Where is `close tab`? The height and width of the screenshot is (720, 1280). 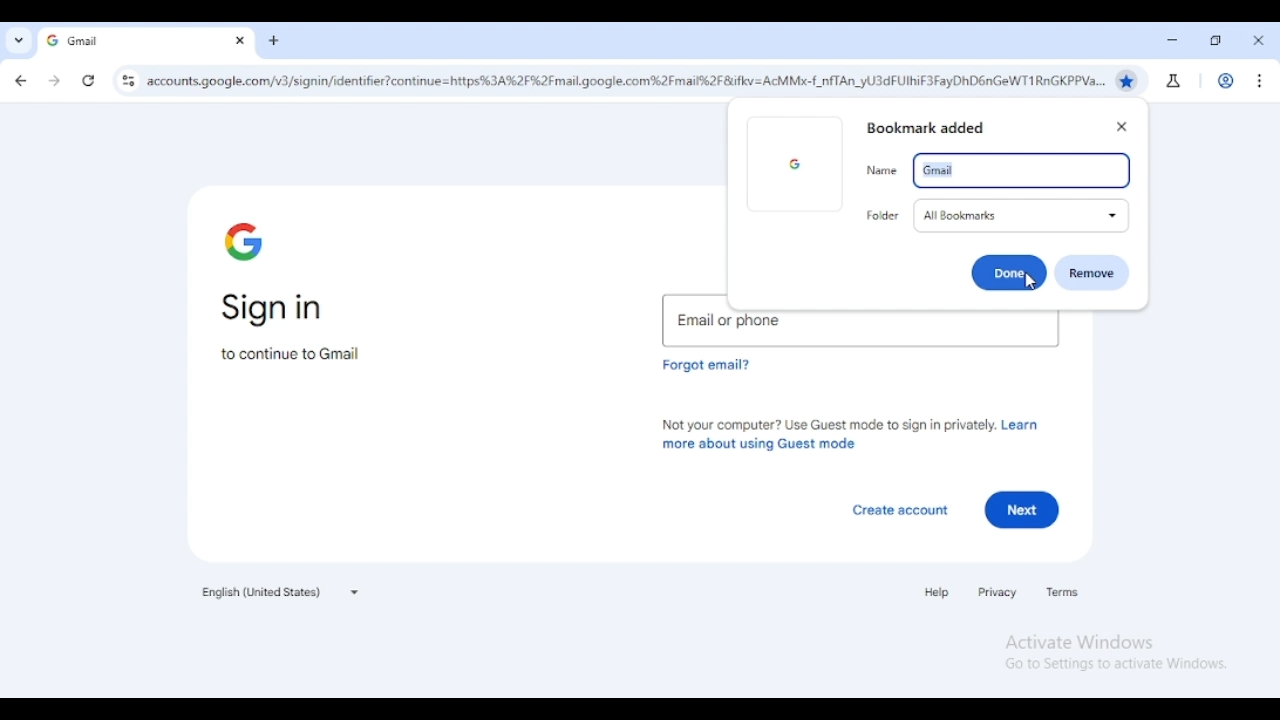 close tab is located at coordinates (240, 40).